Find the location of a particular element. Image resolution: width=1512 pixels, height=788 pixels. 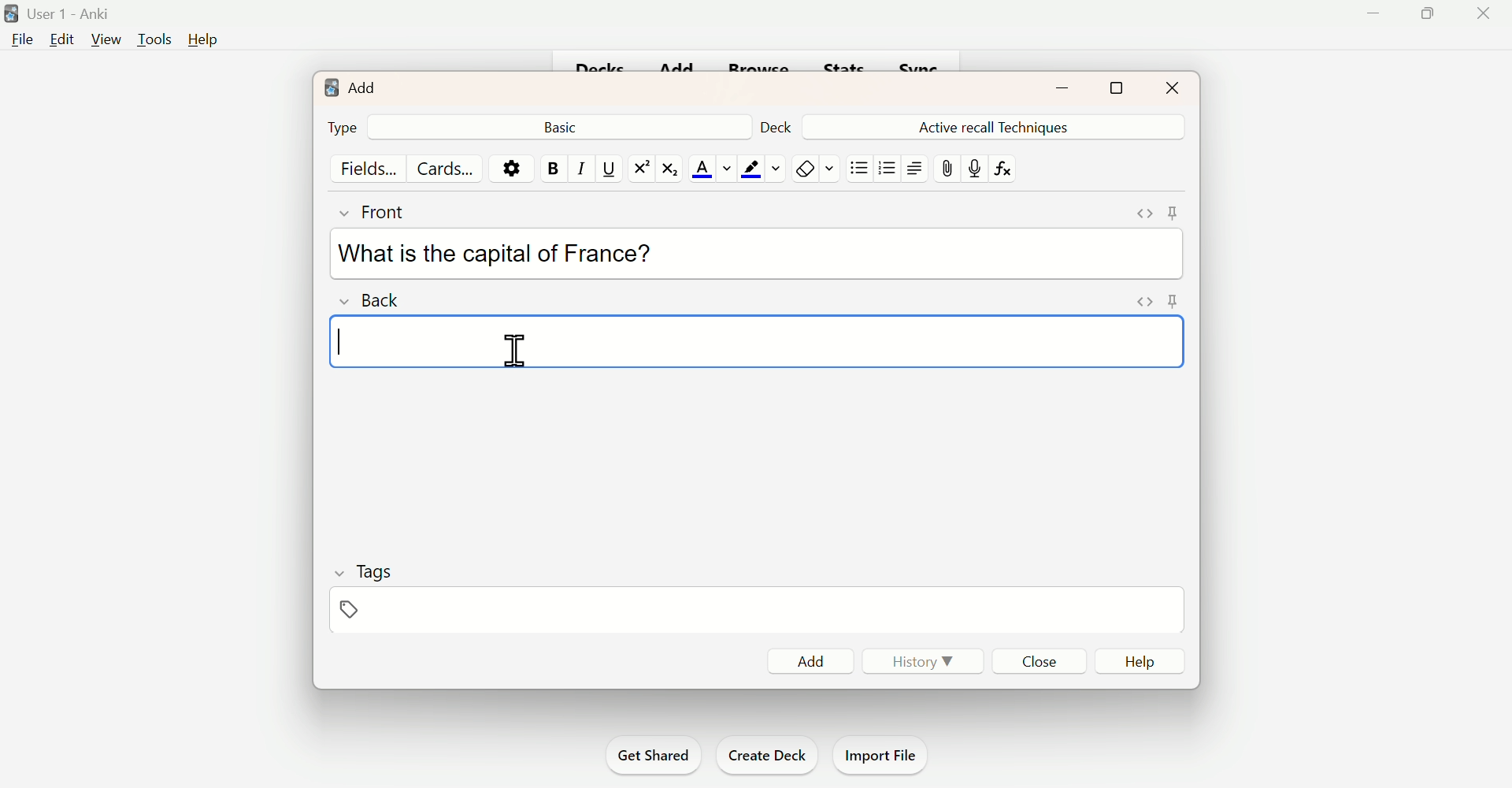

Organised List is located at coordinates (887, 169).